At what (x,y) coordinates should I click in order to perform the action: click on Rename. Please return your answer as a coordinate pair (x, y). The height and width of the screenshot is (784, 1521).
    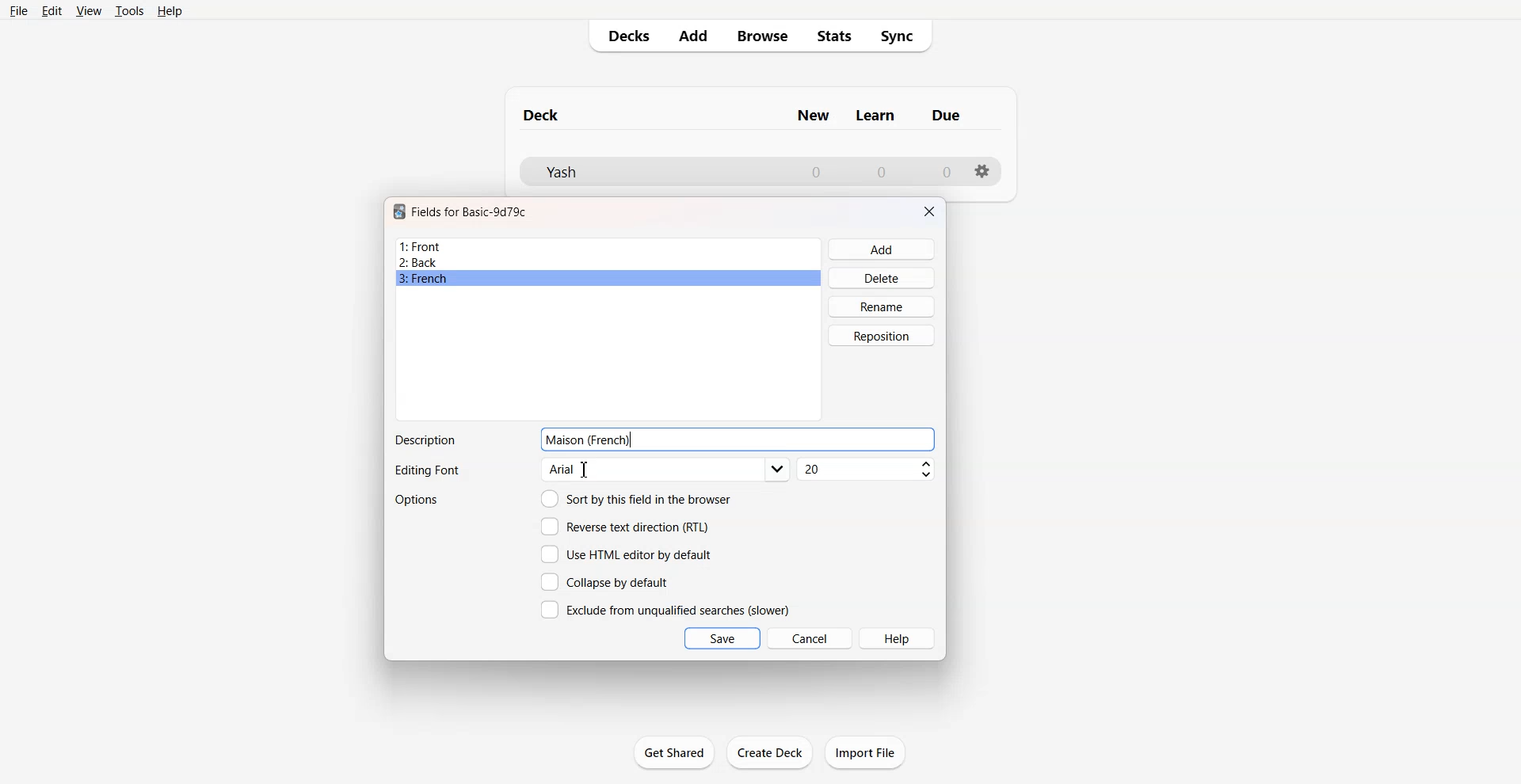
    Looking at the image, I should click on (882, 306).